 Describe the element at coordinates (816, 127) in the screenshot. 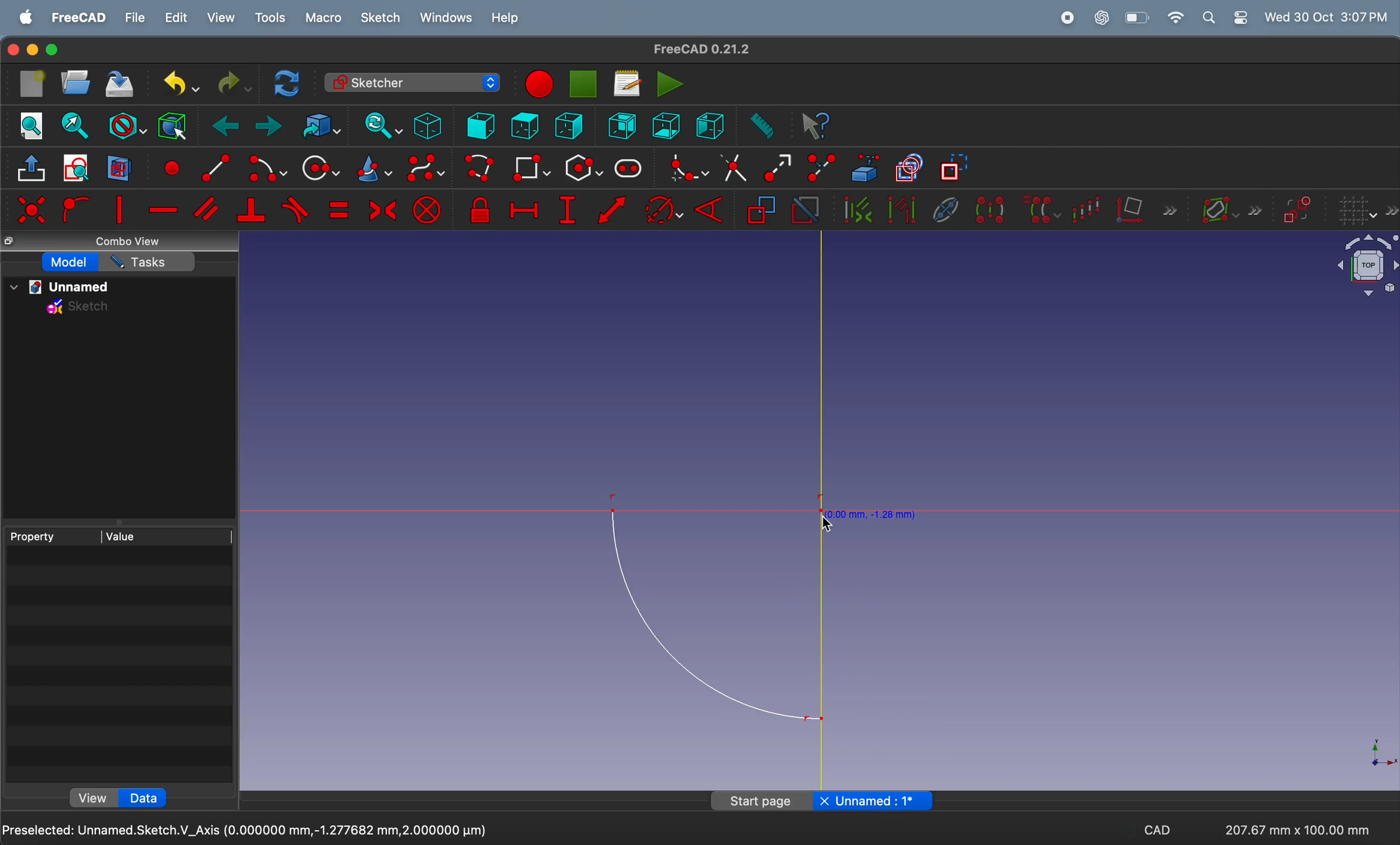

I see `whats this?` at that location.